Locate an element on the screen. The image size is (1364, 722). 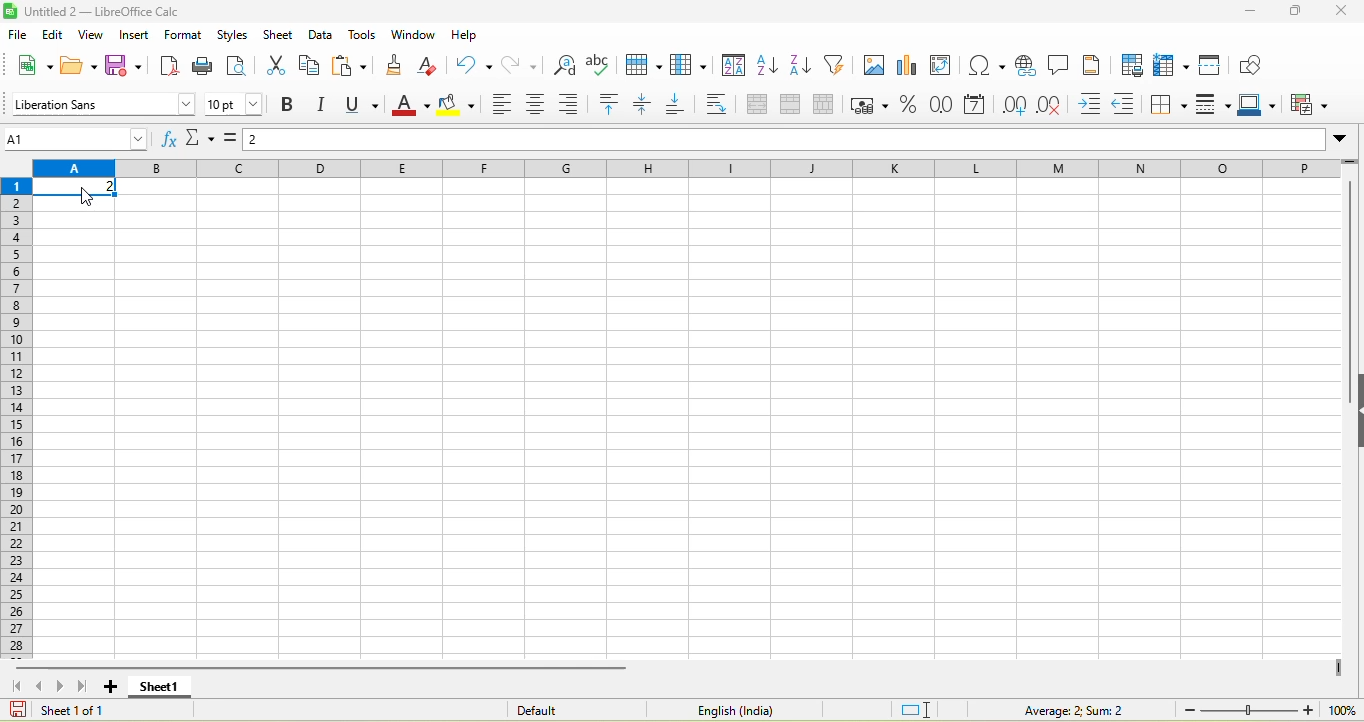
window is located at coordinates (411, 36).